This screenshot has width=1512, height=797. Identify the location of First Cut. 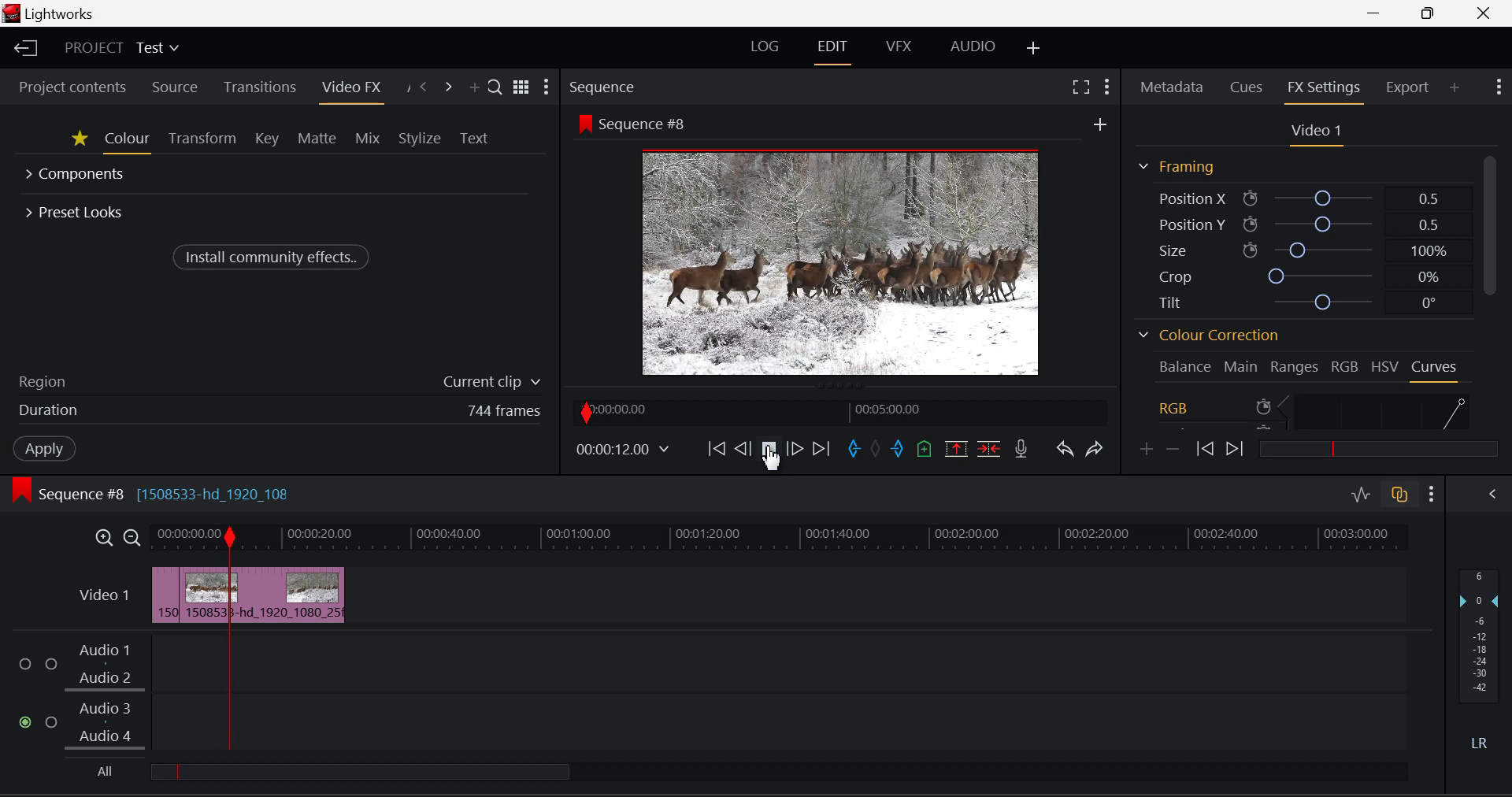
(180, 597).